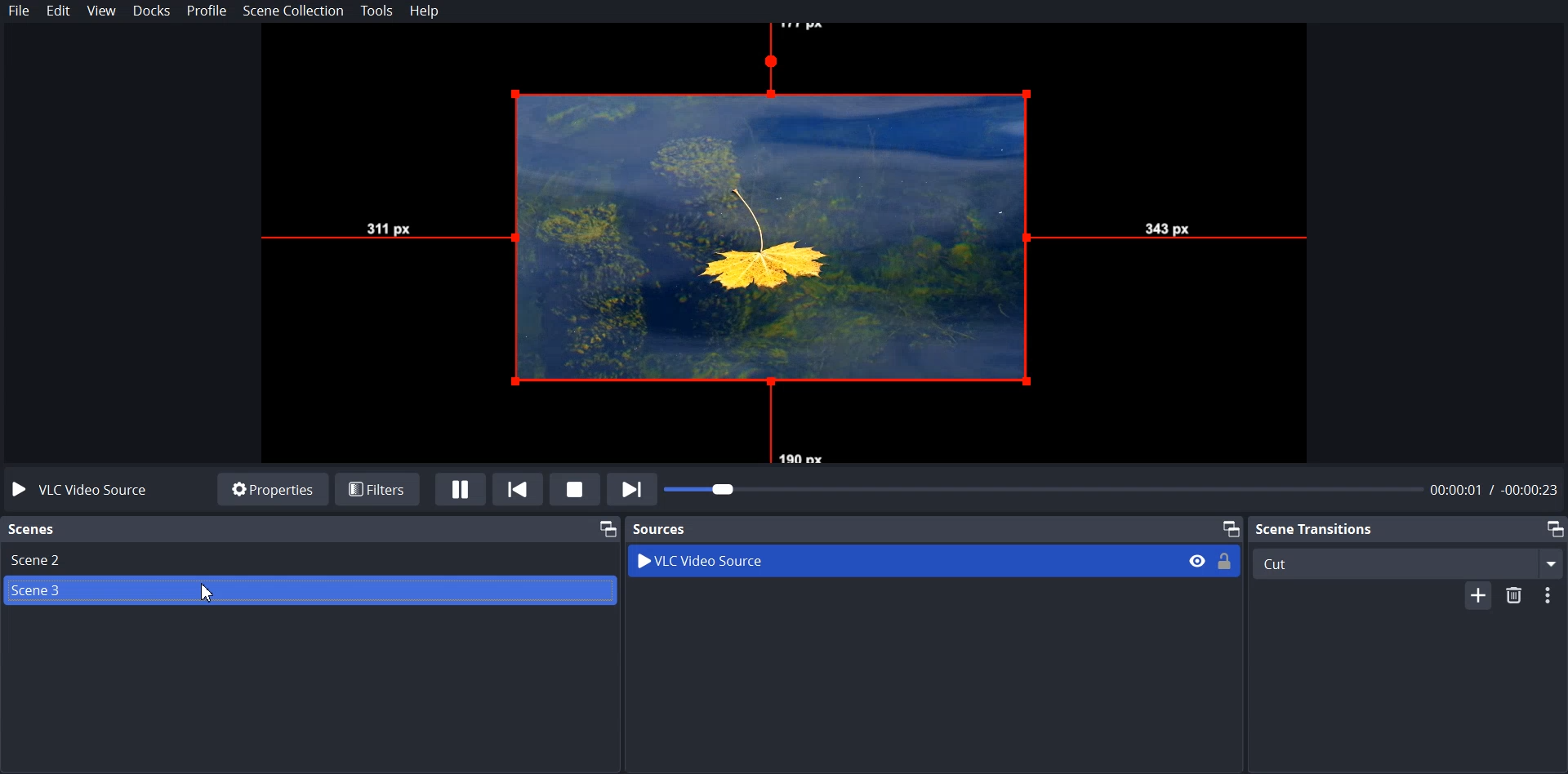  I want to click on Maximize window, so click(1554, 528).